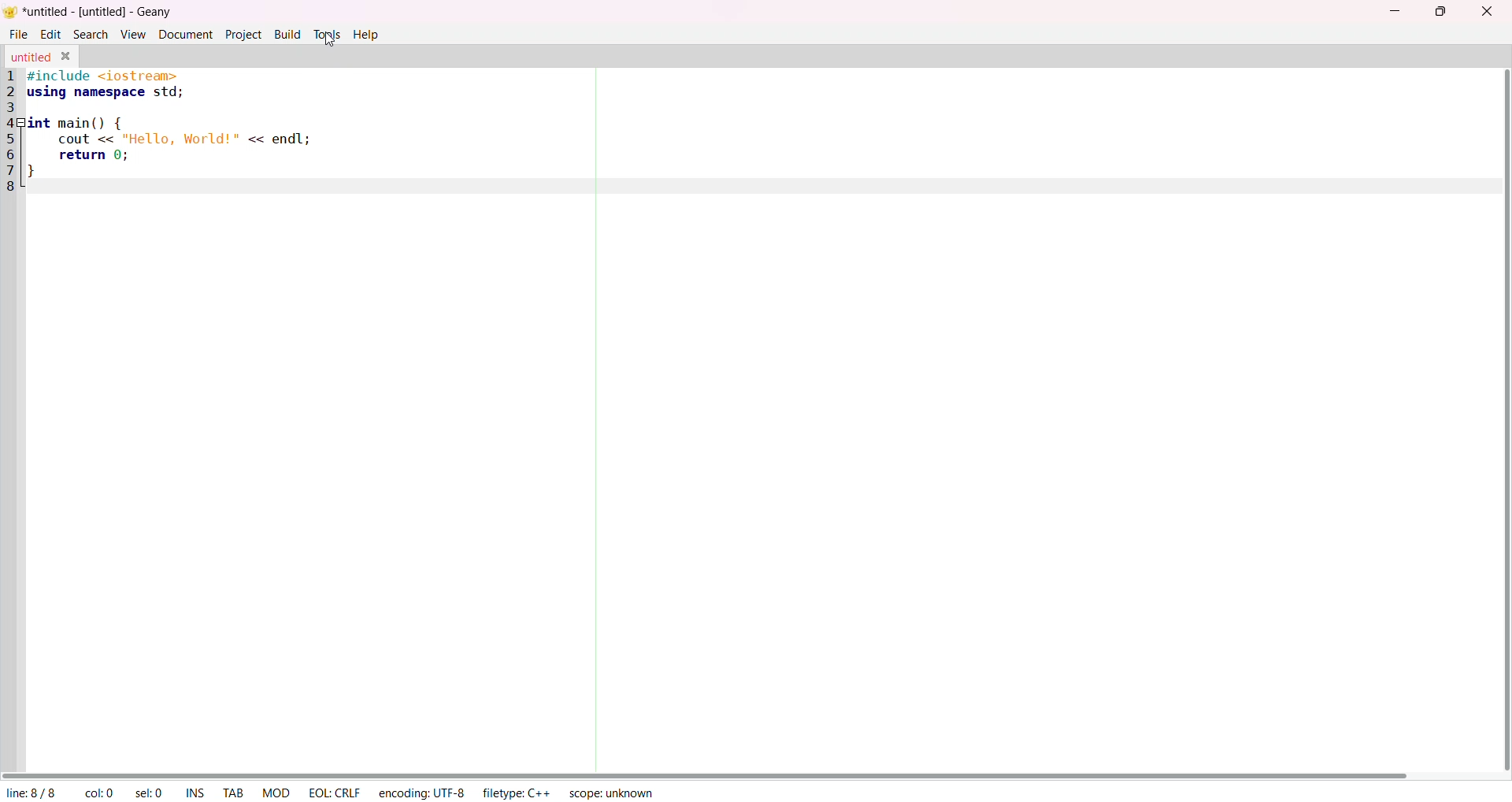  What do you see at coordinates (235, 791) in the screenshot?
I see `TAB` at bounding box center [235, 791].